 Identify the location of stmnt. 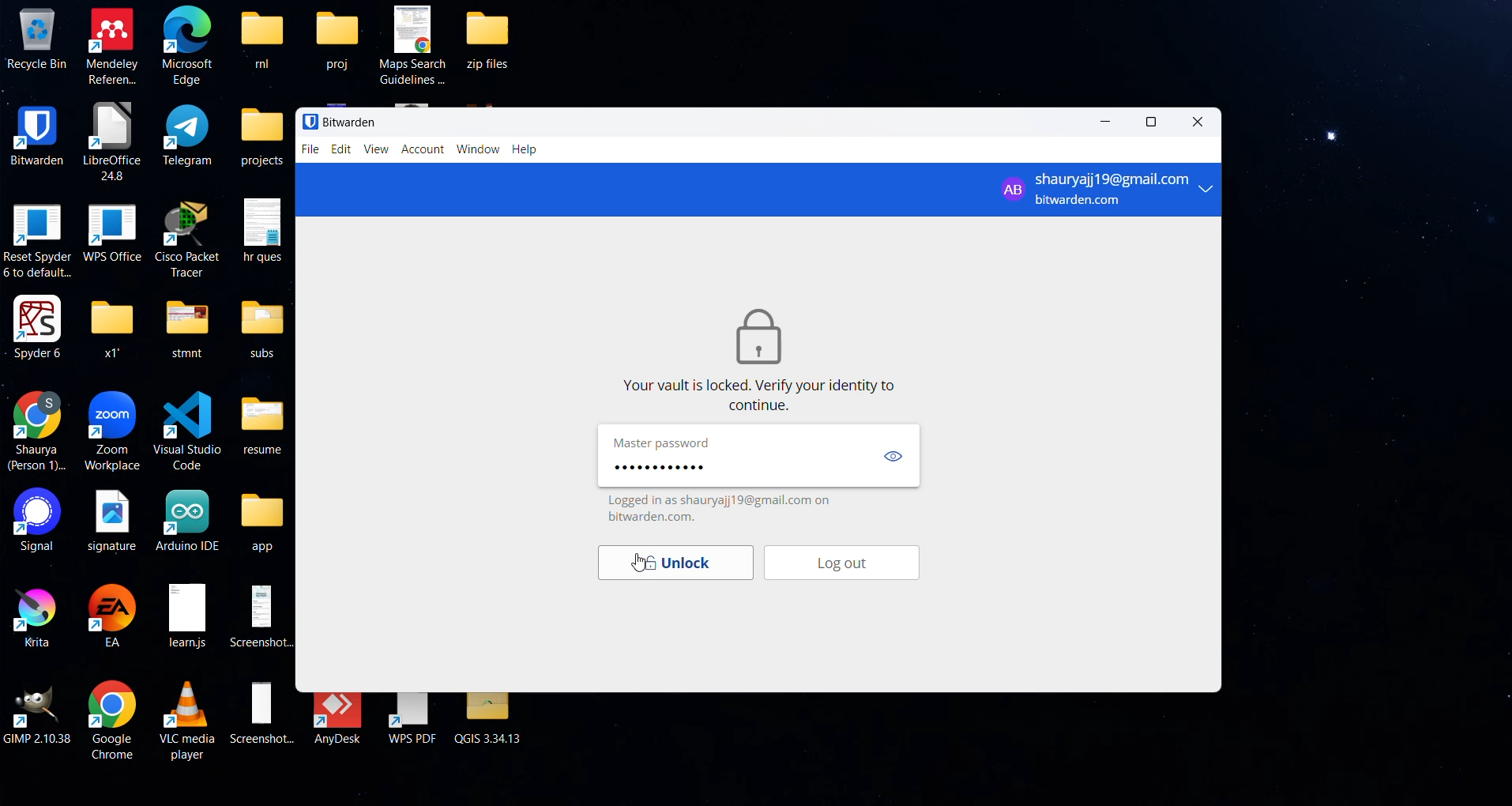
(186, 326).